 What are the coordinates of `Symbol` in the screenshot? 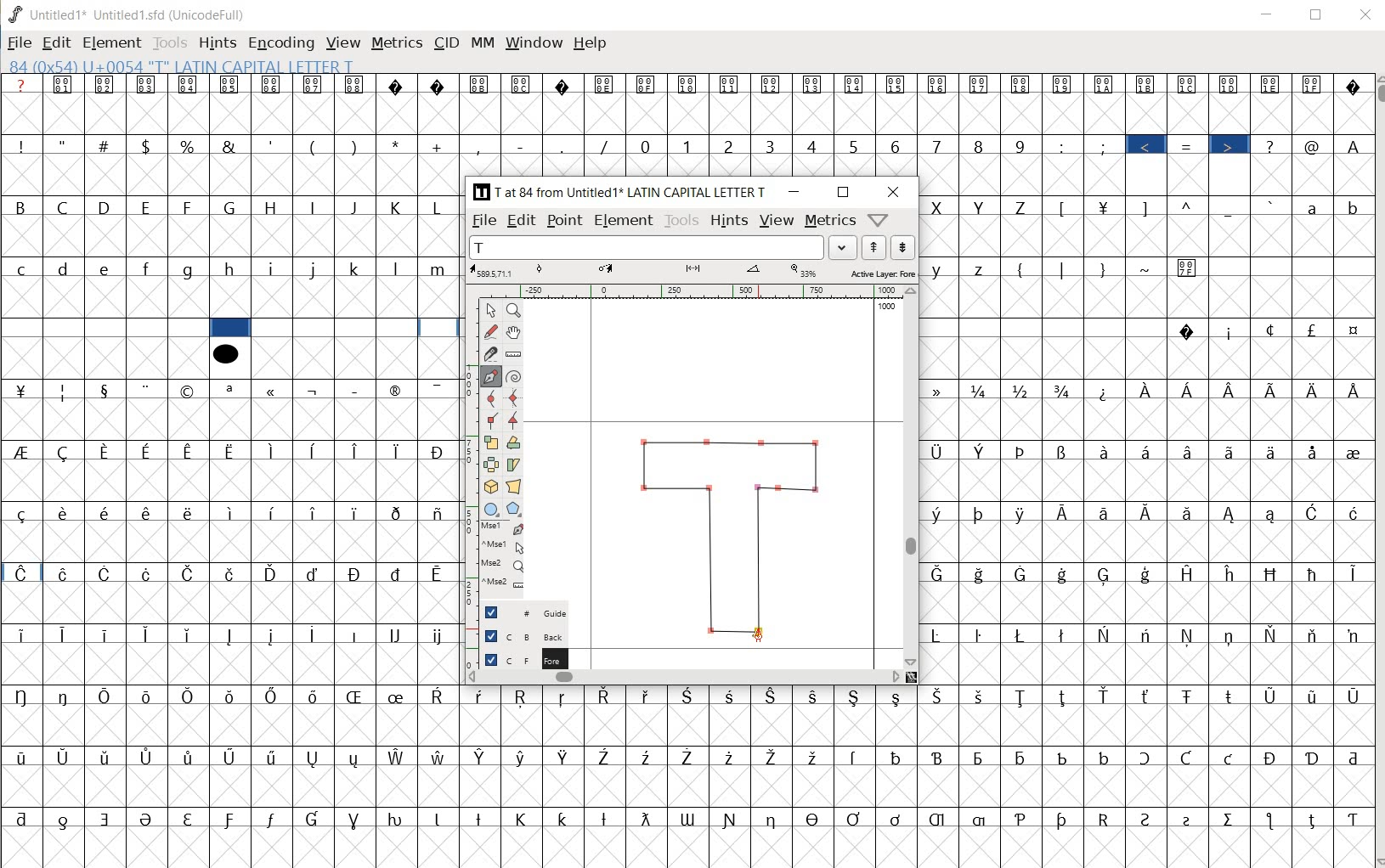 It's located at (524, 819).